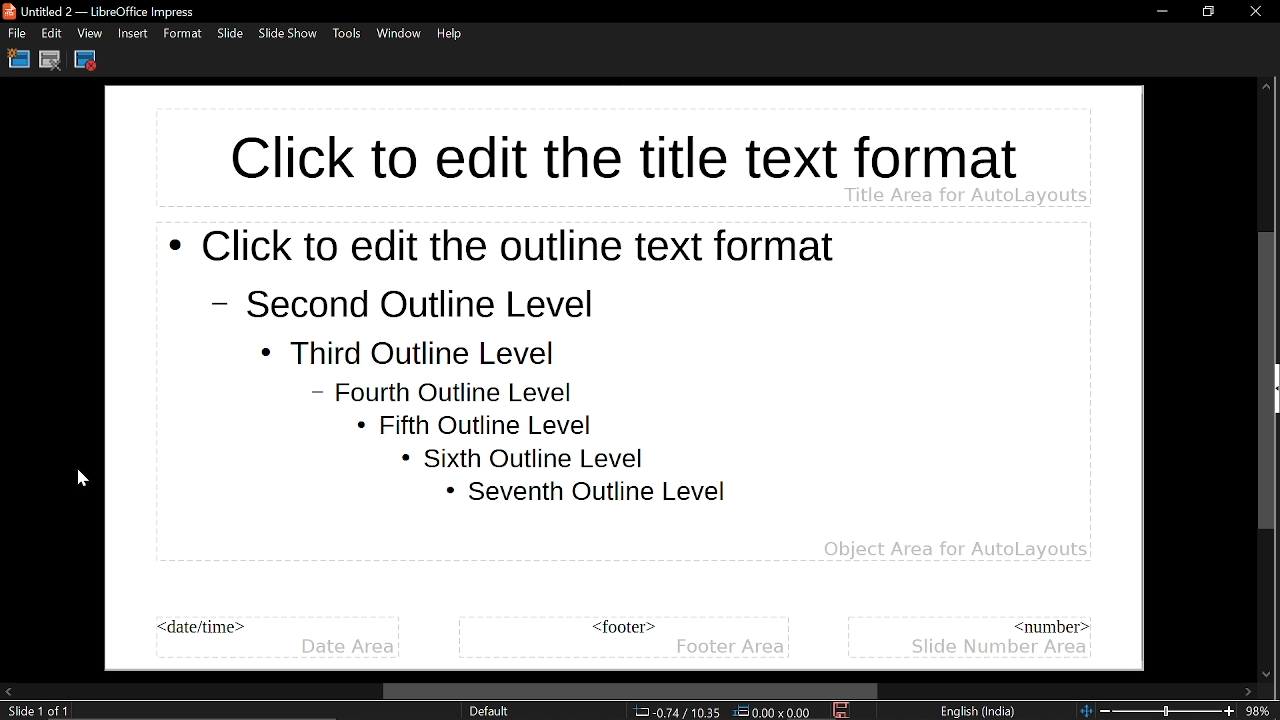 This screenshot has height=720, width=1280. I want to click on Current window, so click(125, 10).